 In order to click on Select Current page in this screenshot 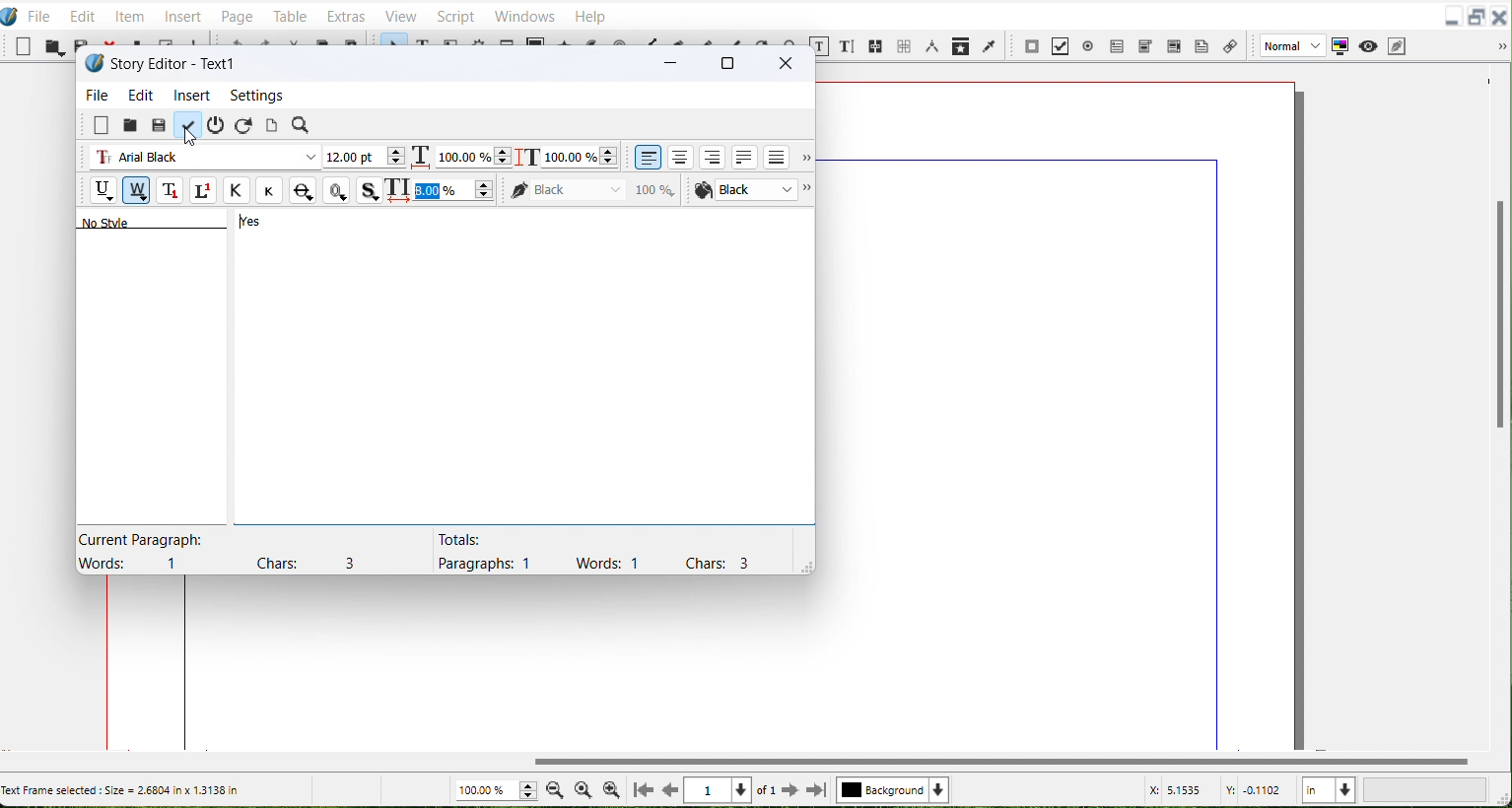, I will do `click(732, 790)`.